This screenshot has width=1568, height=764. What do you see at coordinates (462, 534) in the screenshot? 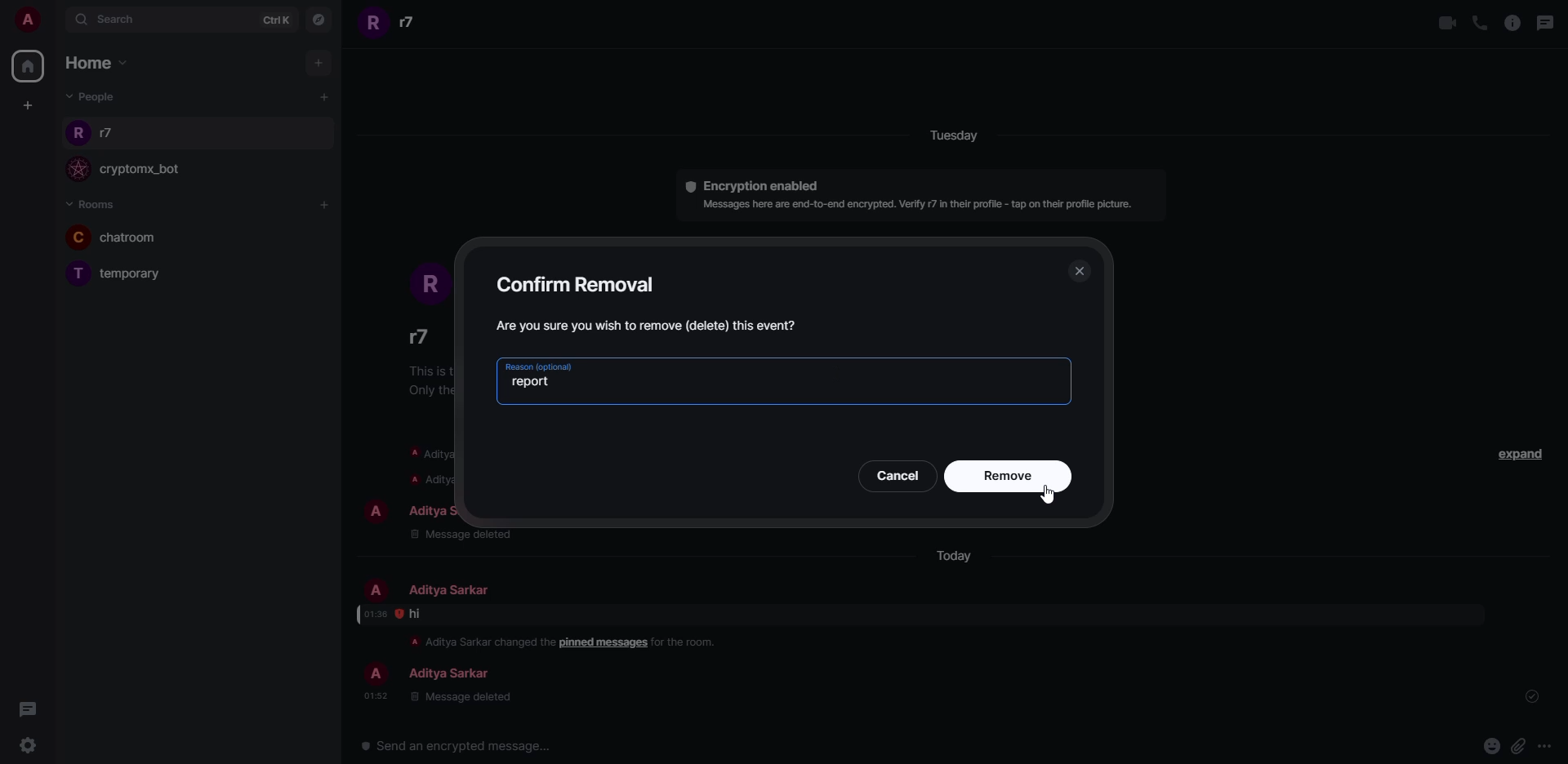
I see `message deleted` at bounding box center [462, 534].